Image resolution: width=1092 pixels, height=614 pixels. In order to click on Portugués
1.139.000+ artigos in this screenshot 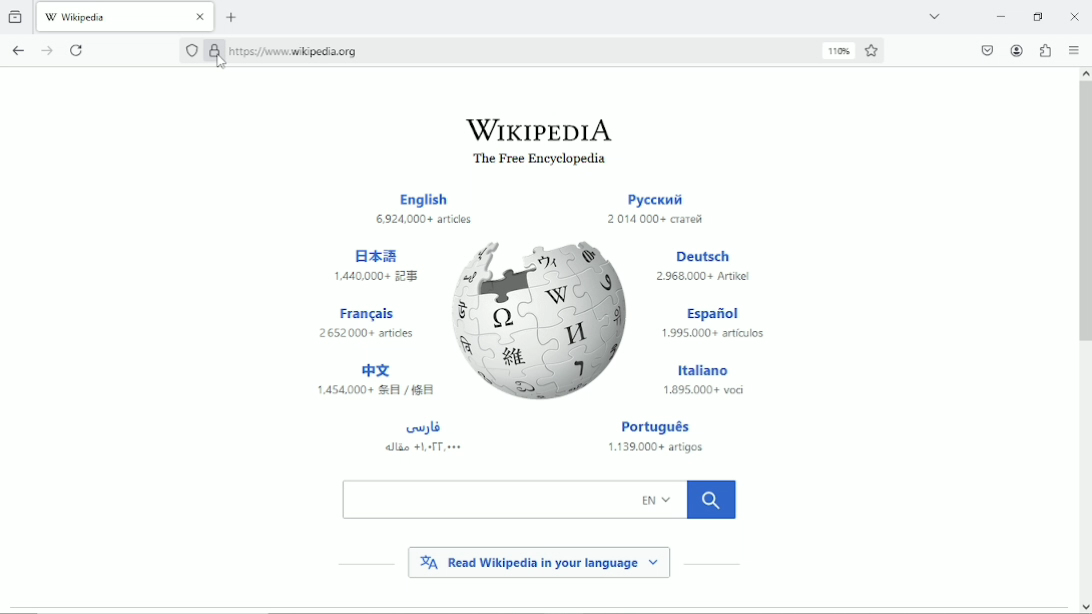, I will do `click(663, 438)`.